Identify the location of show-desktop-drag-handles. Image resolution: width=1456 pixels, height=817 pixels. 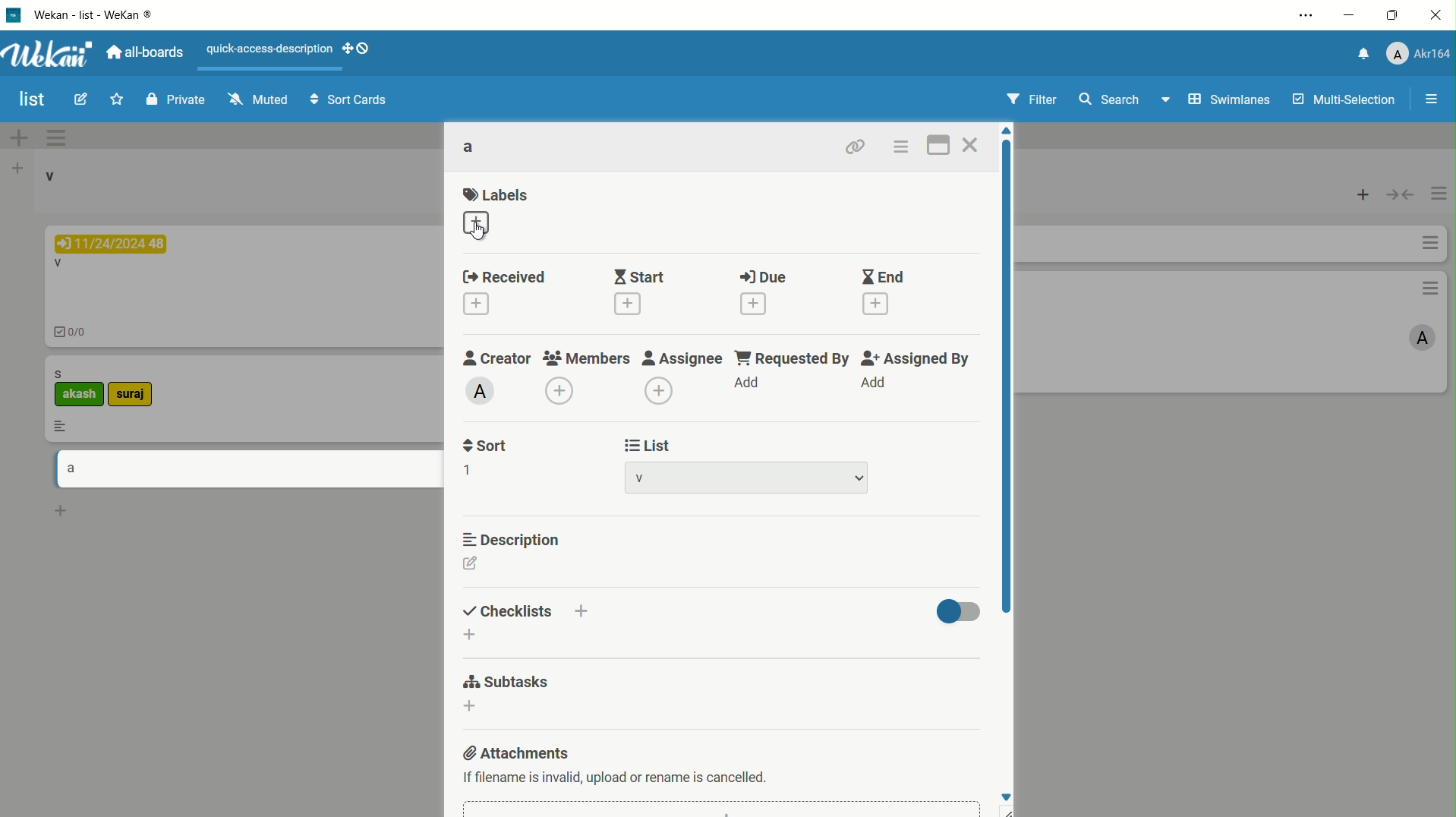
(360, 49).